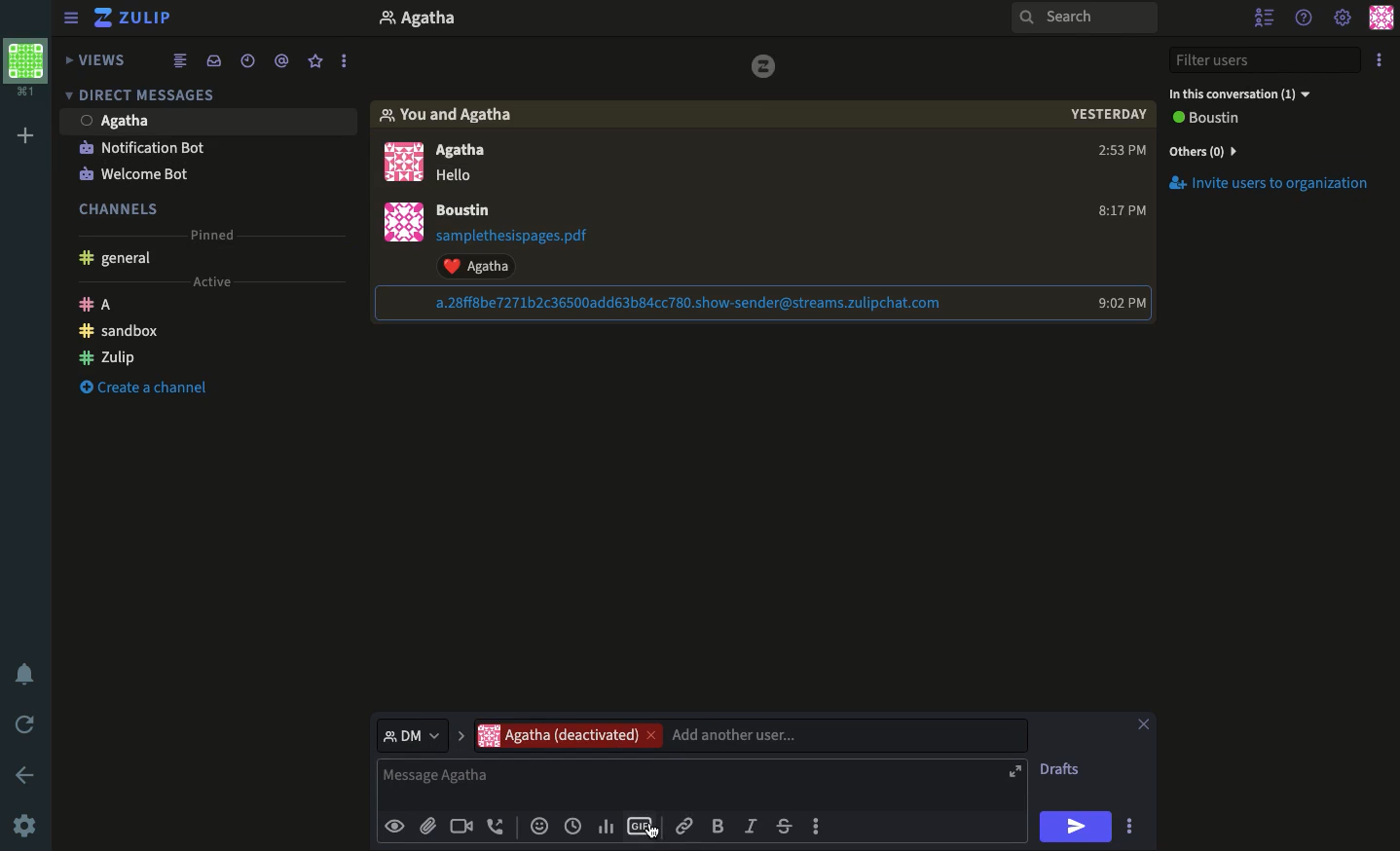  Describe the element at coordinates (142, 147) in the screenshot. I see `Notification ` at that location.